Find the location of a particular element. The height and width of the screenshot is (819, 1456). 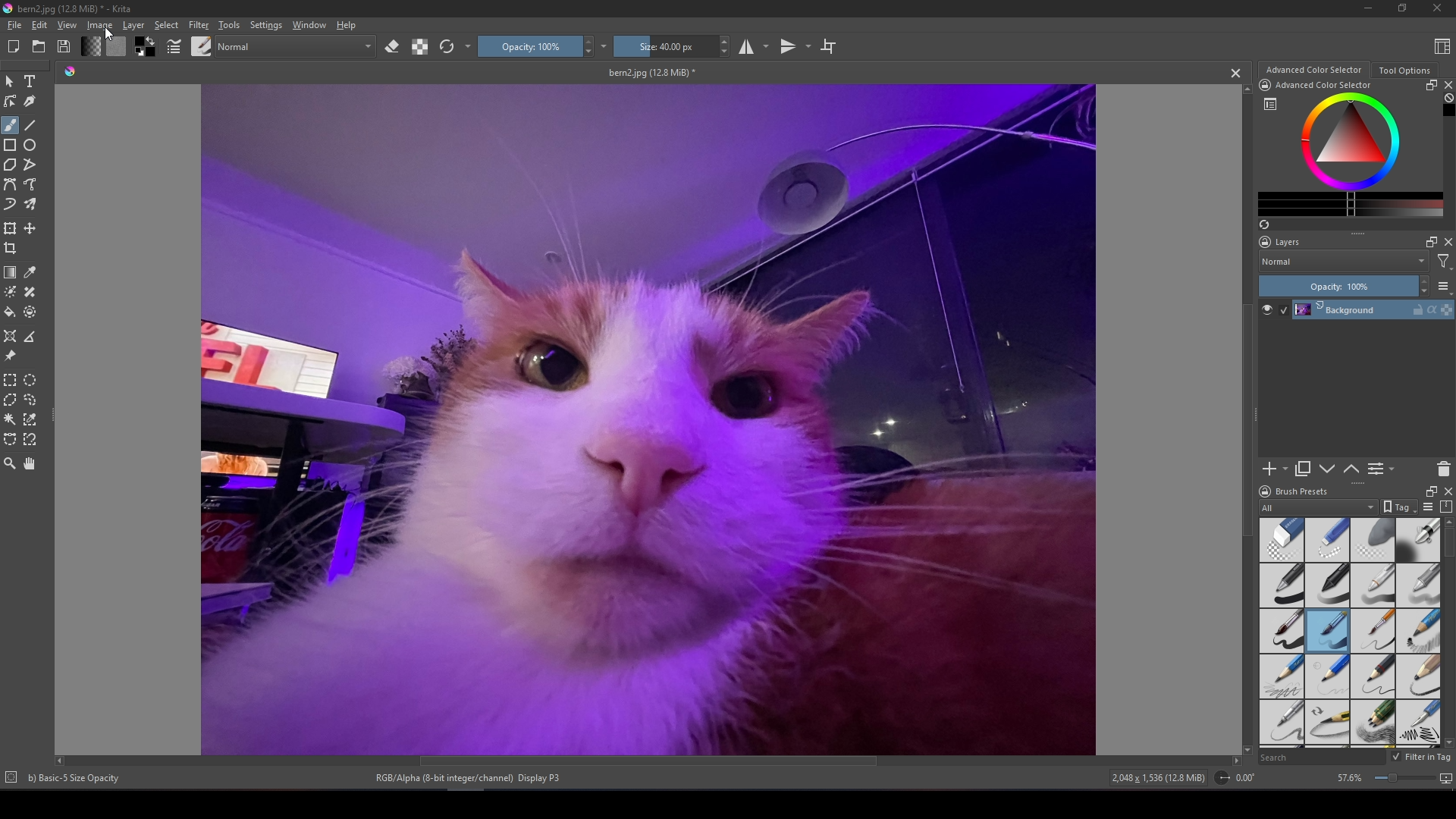

Clear all color history is located at coordinates (1448, 98).